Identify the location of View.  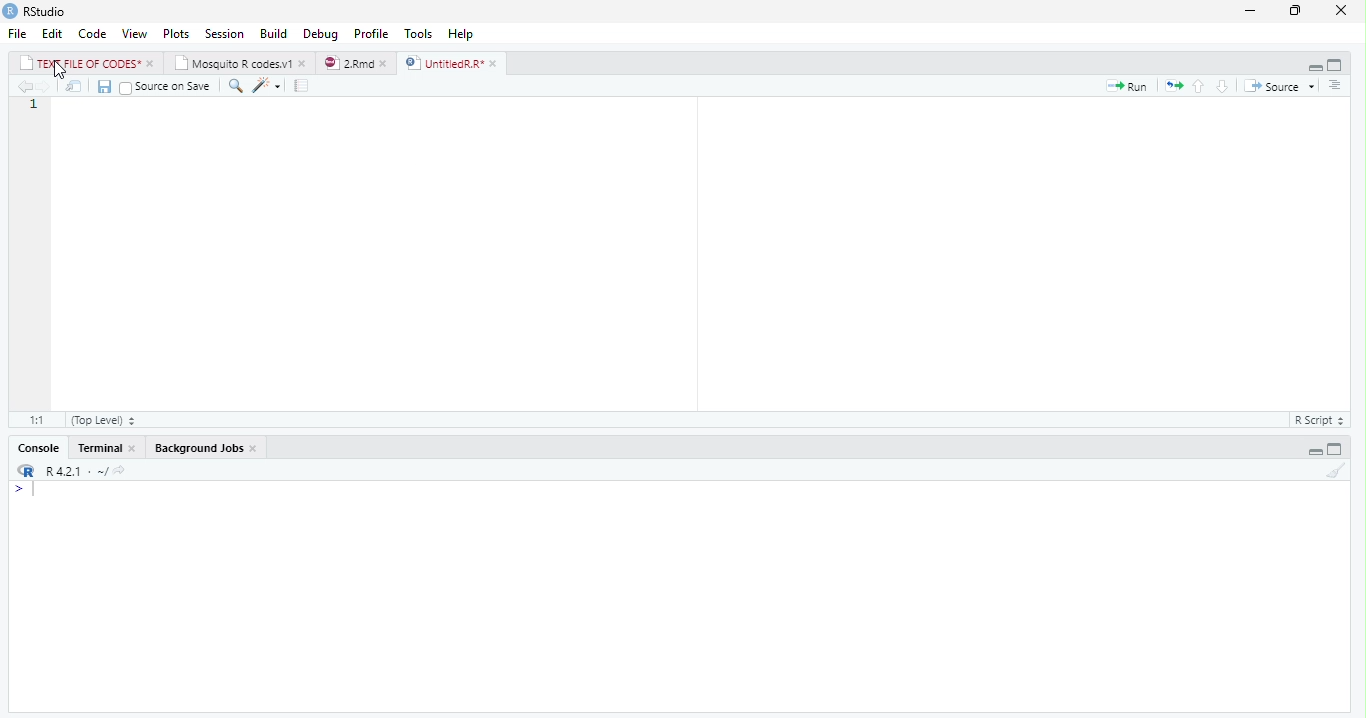
(135, 32).